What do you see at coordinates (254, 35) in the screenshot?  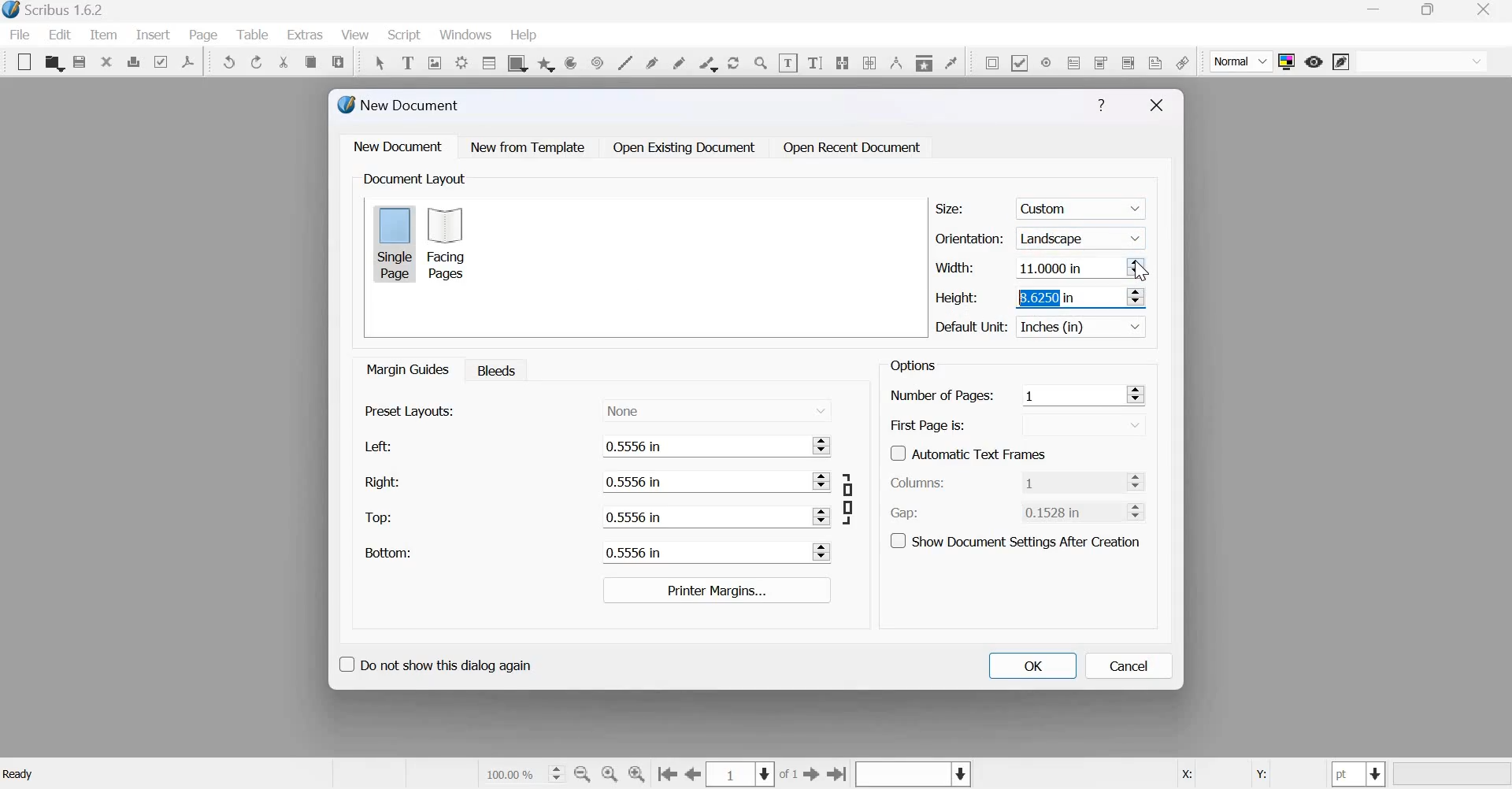 I see `Table` at bounding box center [254, 35].